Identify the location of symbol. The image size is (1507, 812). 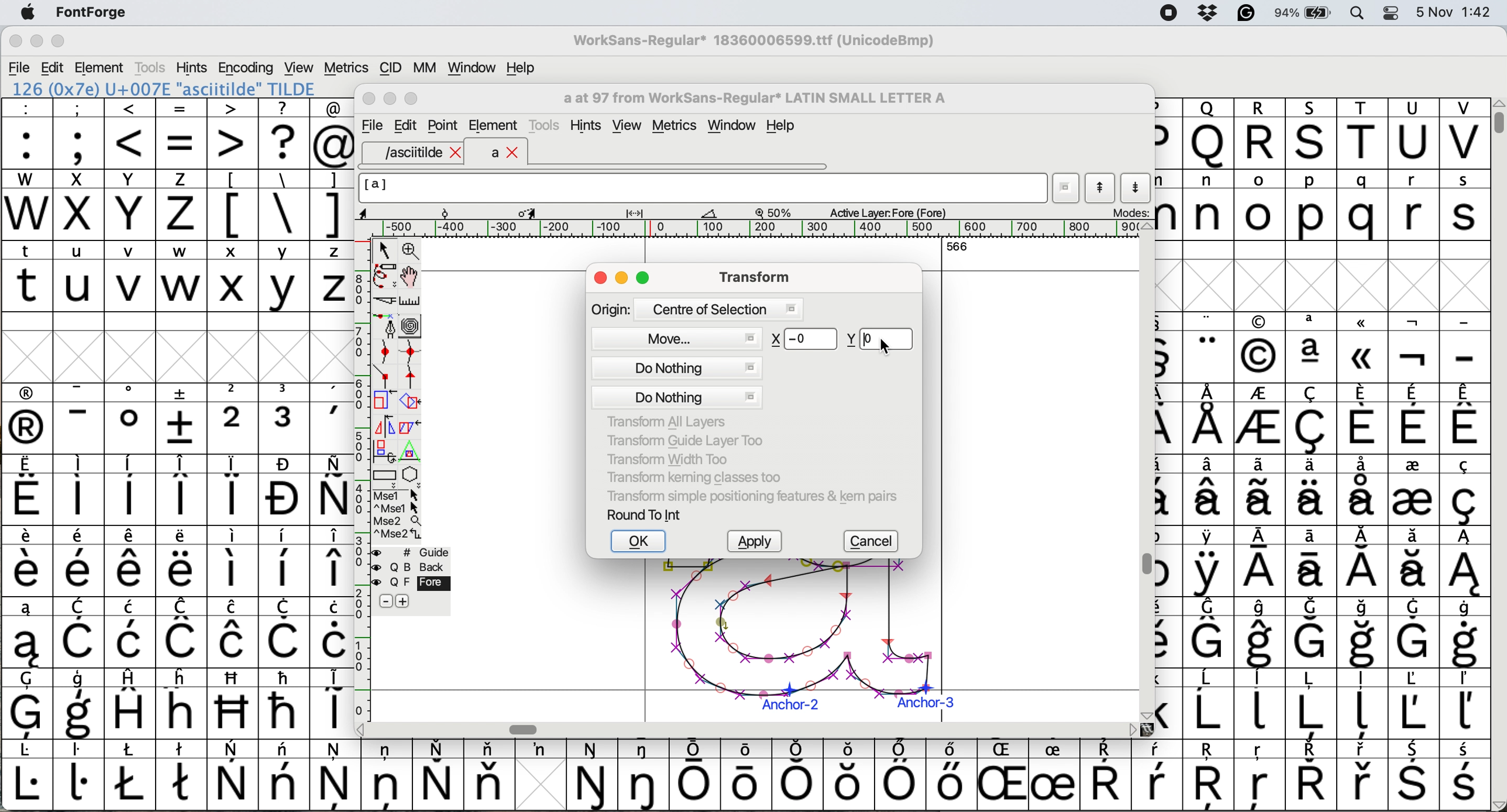
(1157, 775).